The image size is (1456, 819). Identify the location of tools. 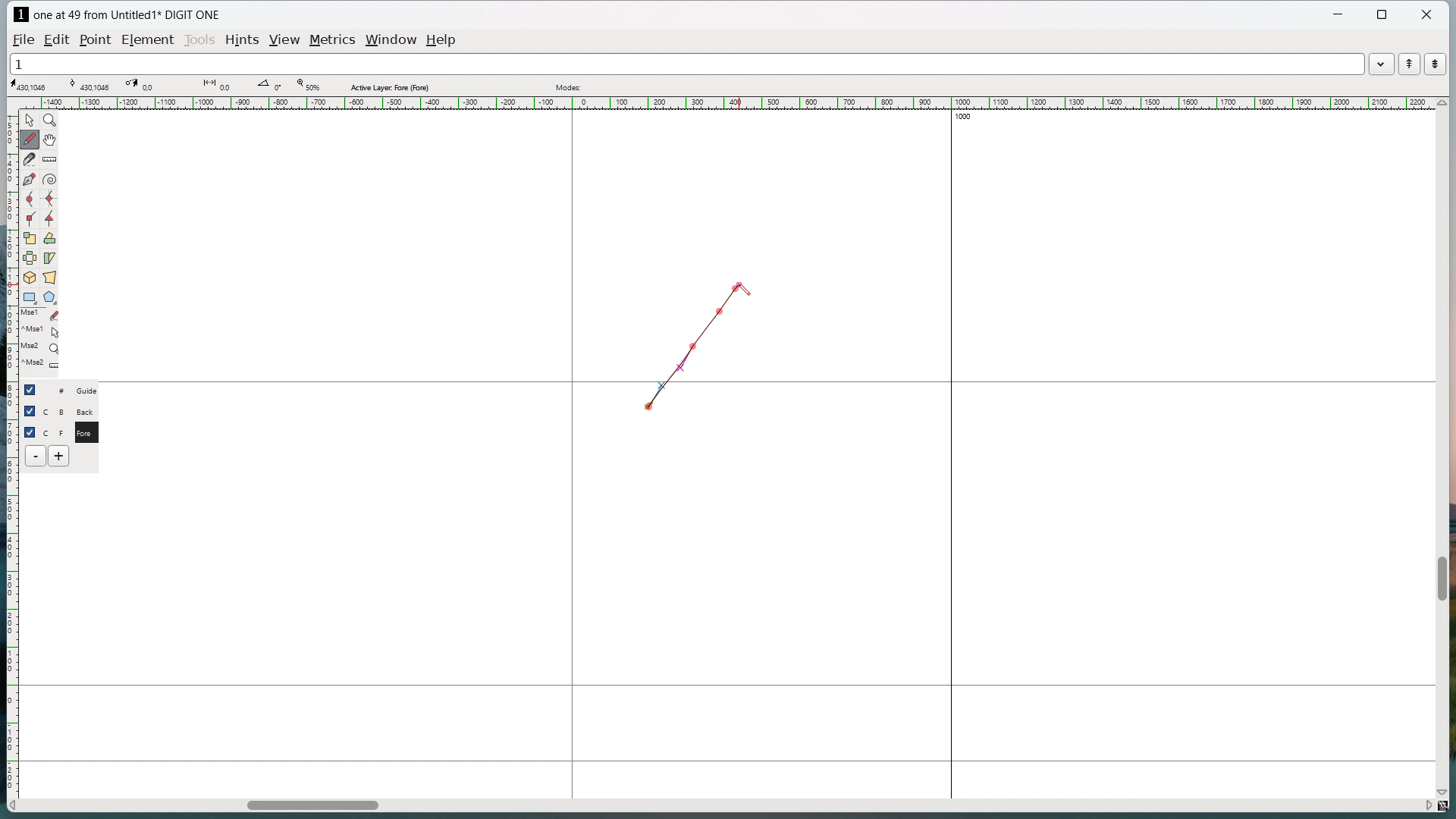
(199, 41).